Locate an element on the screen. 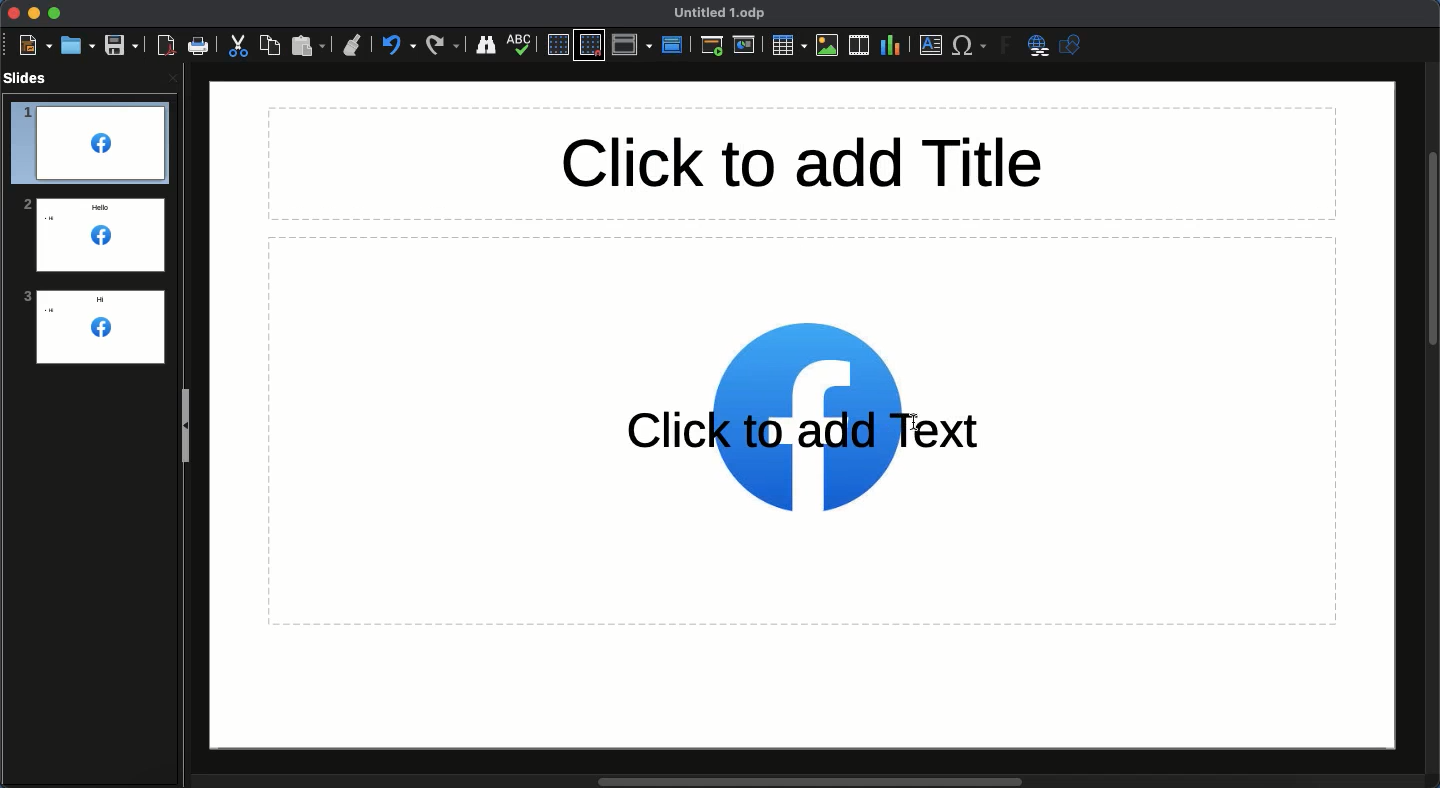  Master slide is located at coordinates (675, 40).